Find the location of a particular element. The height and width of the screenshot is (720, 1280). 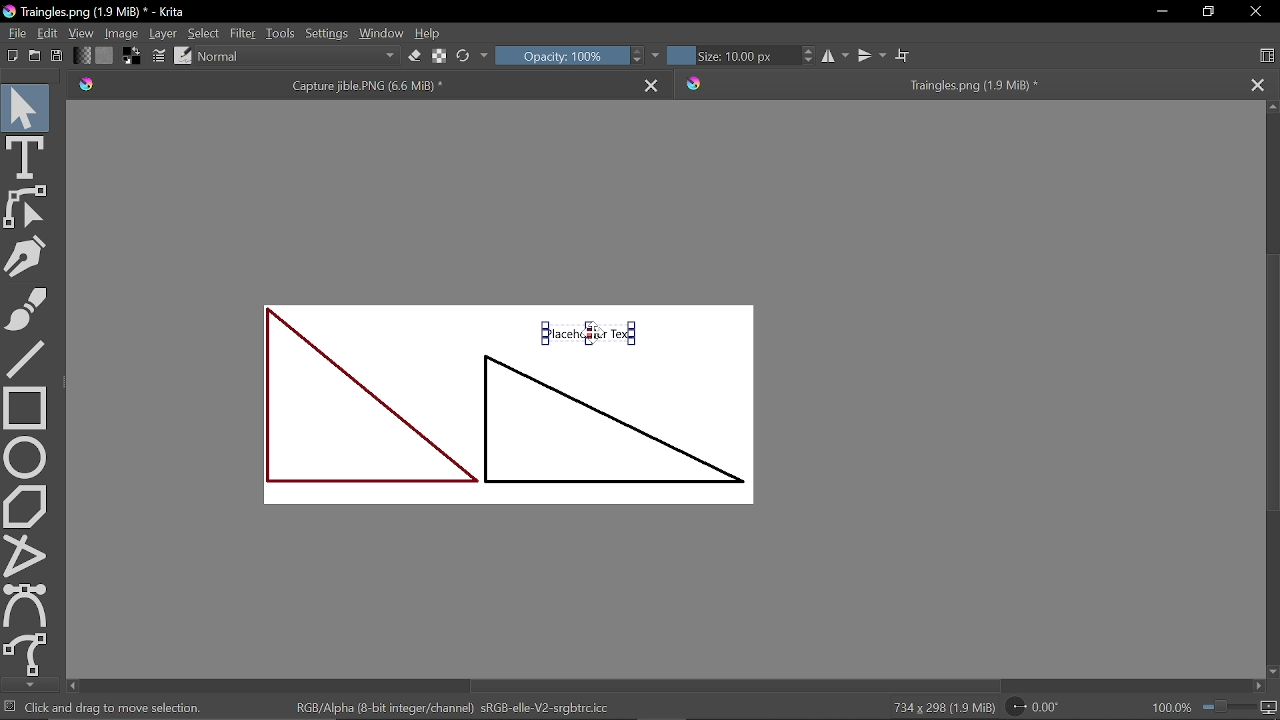

Freehand brush tool is located at coordinates (28, 311).